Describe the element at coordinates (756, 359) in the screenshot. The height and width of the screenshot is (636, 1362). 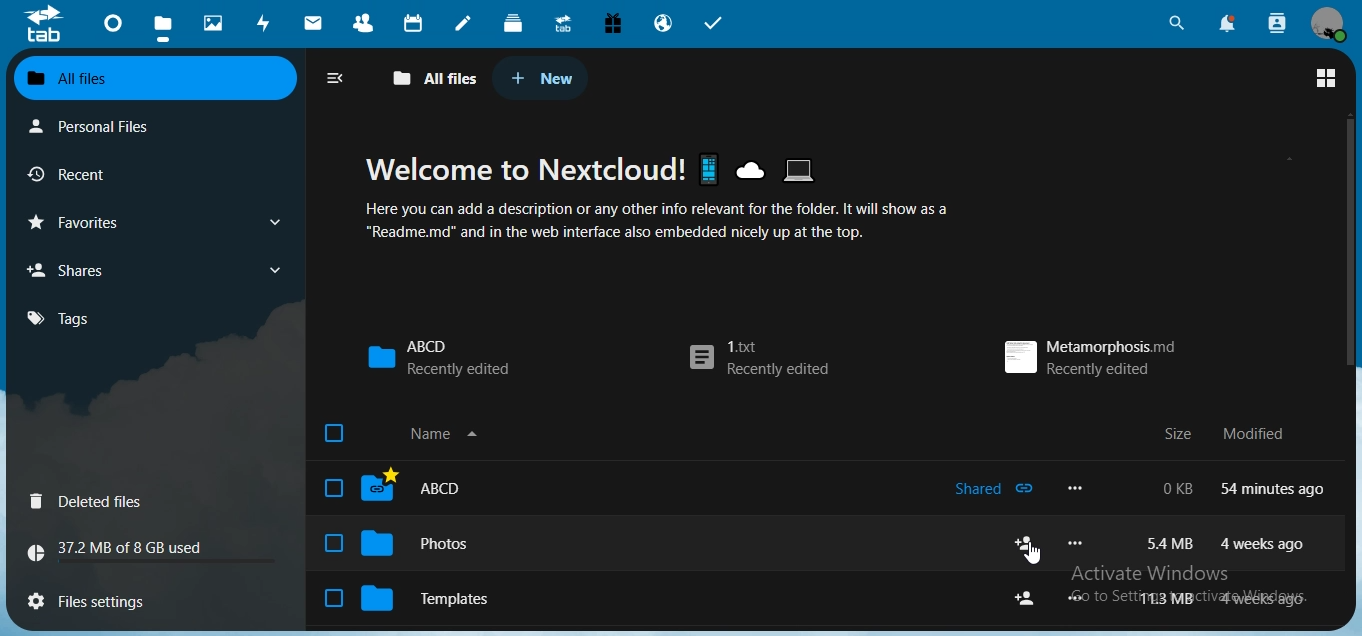
I see `1.txt` at that location.